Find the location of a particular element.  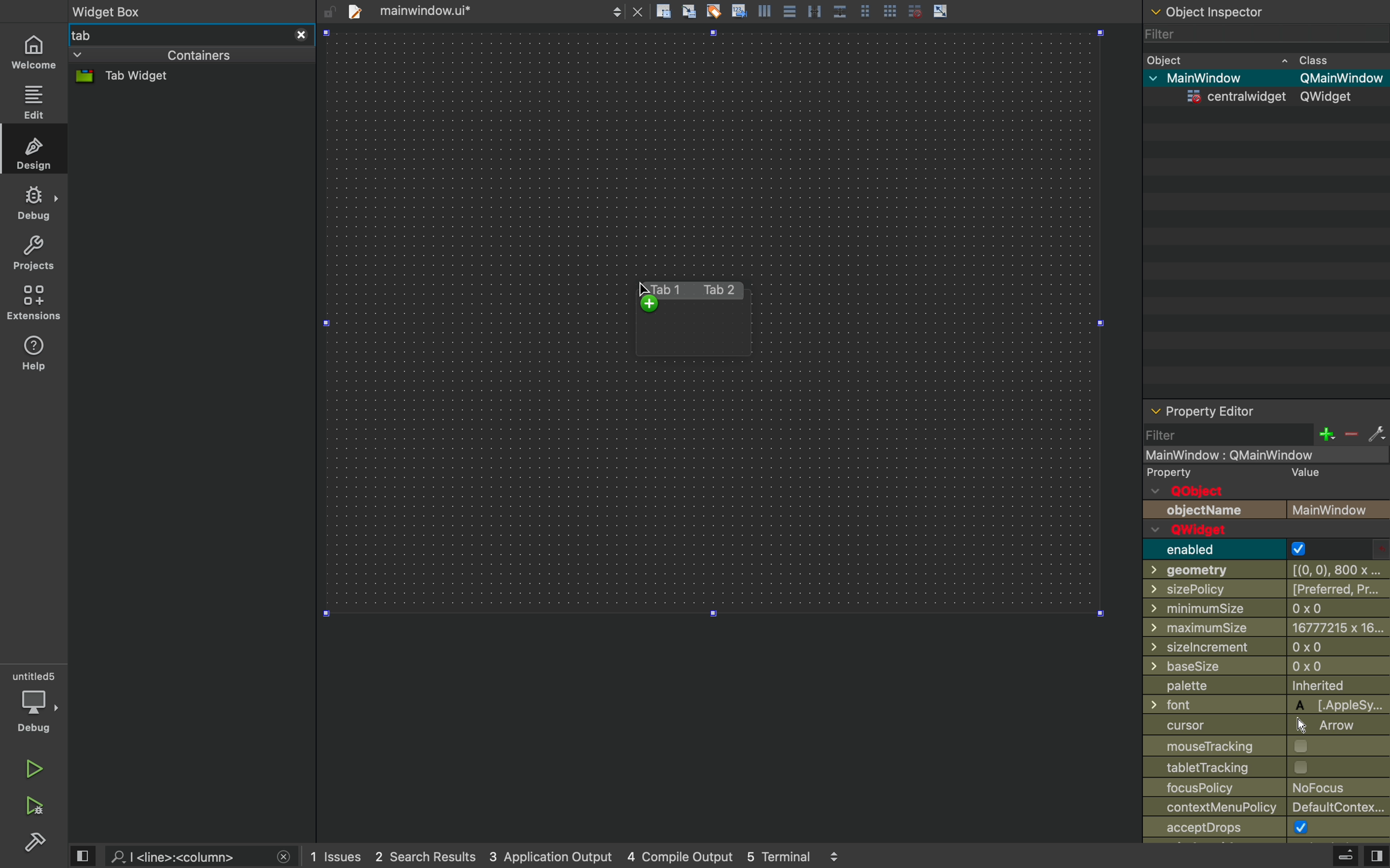

create rectangle is located at coordinates (663, 10).